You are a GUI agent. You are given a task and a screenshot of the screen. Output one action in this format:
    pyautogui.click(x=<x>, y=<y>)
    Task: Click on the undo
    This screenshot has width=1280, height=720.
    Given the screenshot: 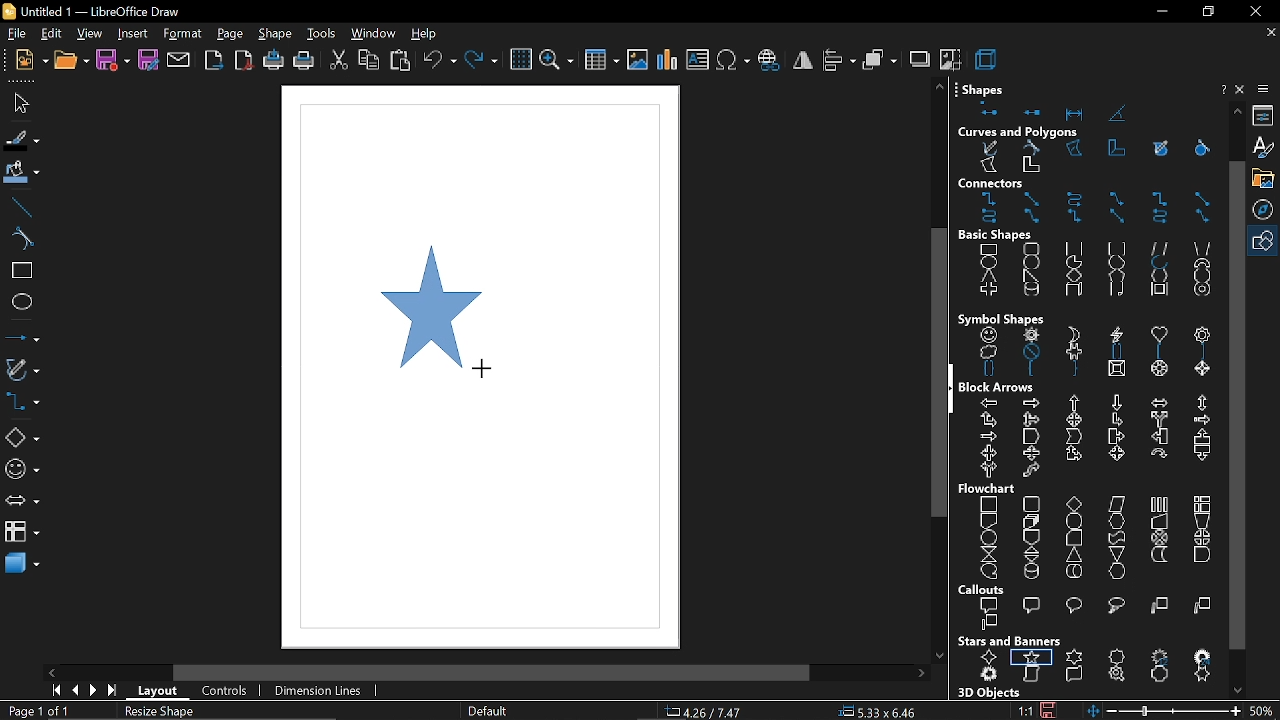 What is the action you would take?
    pyautogui.click(x=438, y=61)
    